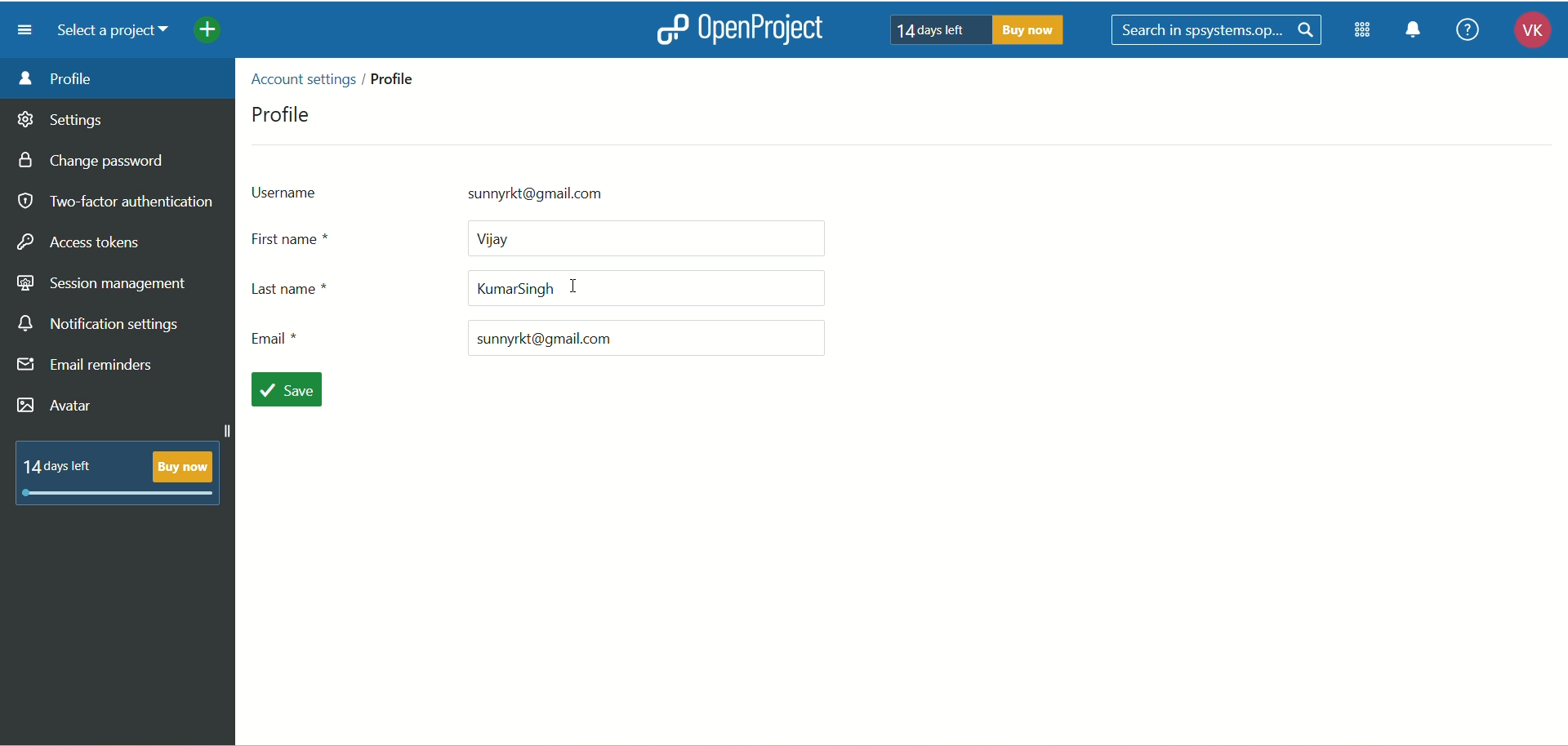  What do you see at coordinates (25, 30) in the screenshot?
I see `menu` at bounding box center [25, 30].